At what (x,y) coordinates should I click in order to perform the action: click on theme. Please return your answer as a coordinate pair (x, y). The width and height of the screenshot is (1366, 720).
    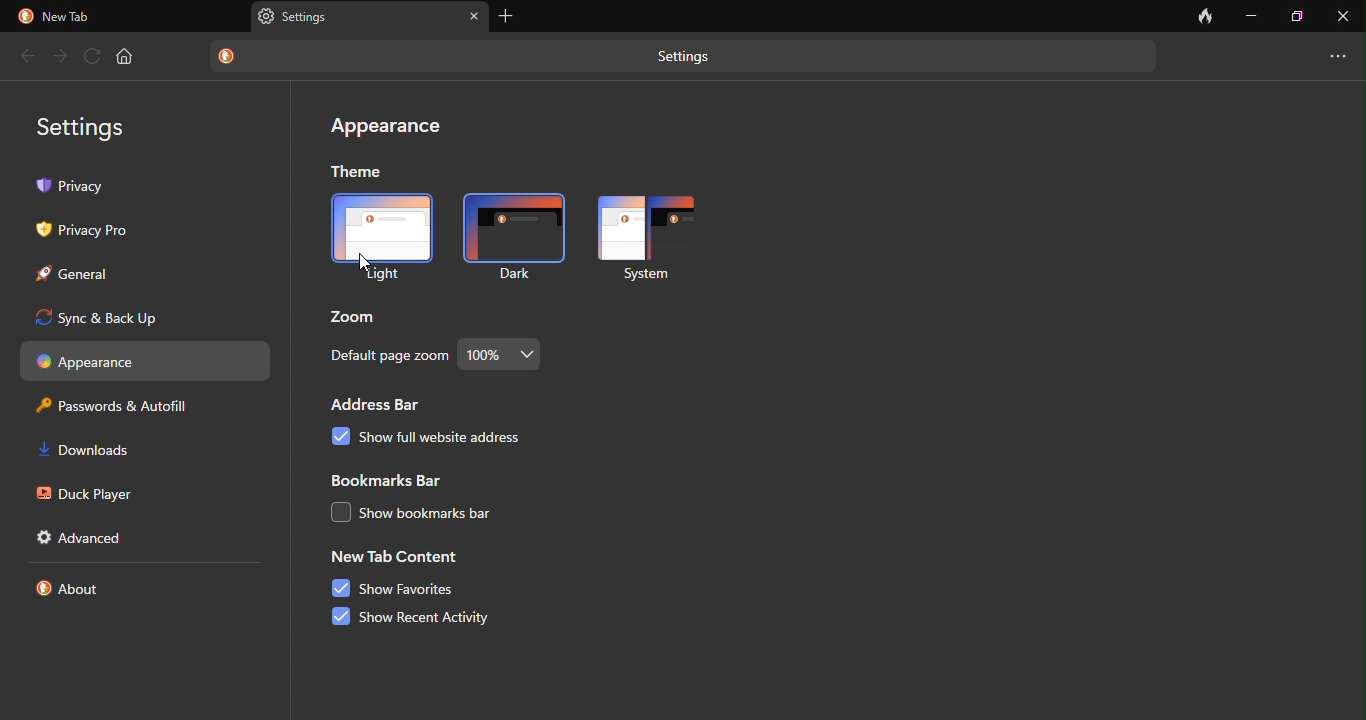
    Looking at the image, I should click on (359, 170).